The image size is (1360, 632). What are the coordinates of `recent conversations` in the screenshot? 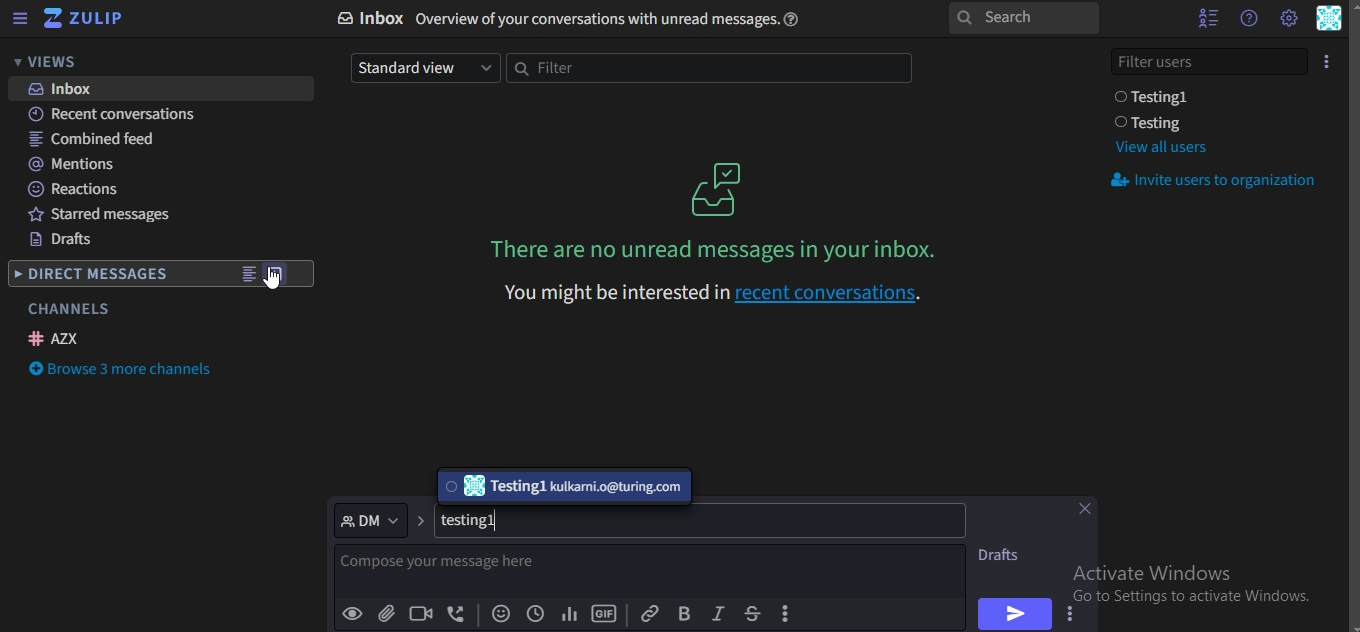 It's located at (125, 116).